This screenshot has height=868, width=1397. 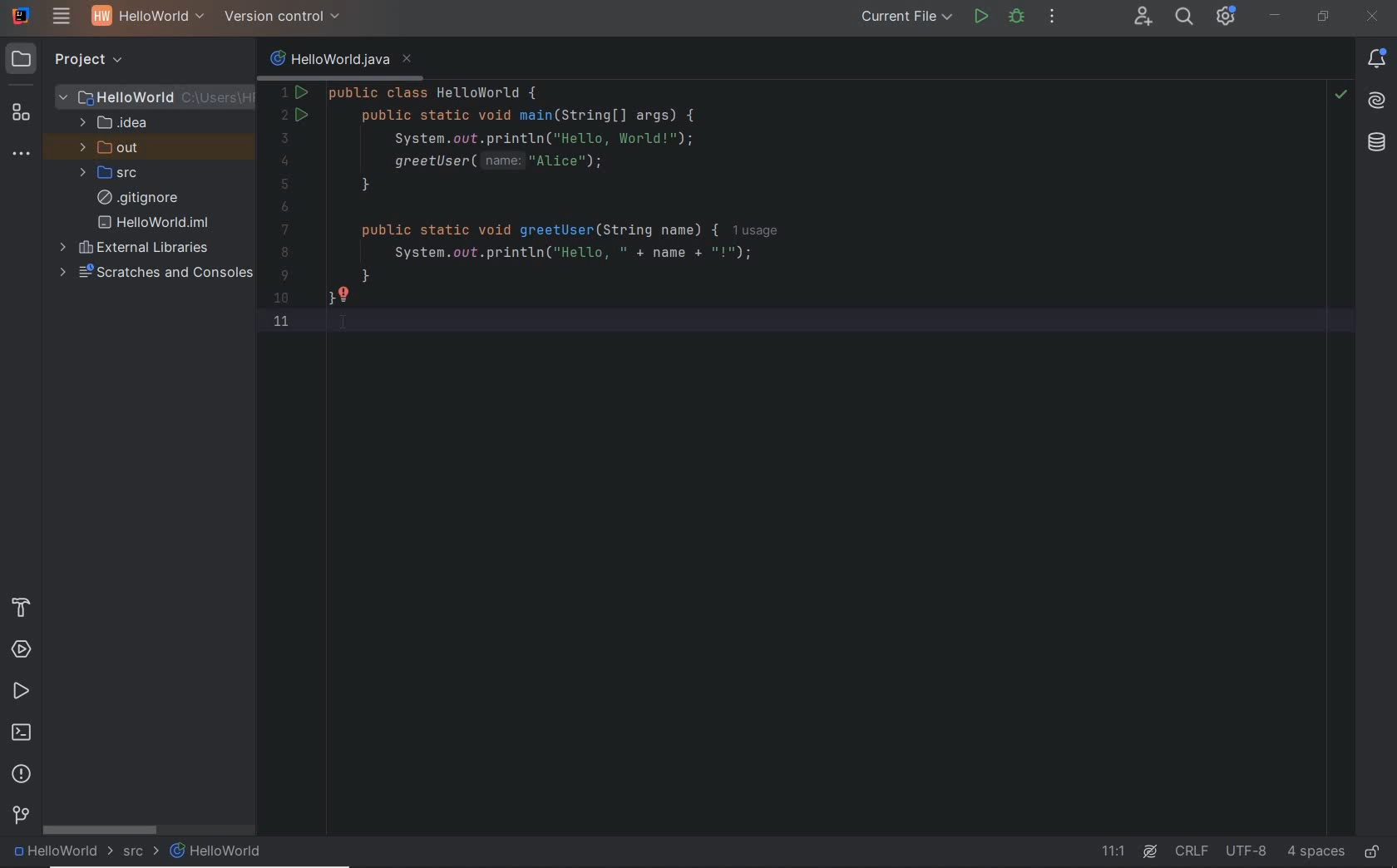 What do you see at coordinates (216, 851) in the screenshot?
I see `HelloWorld` at bounding box center [216, 851].